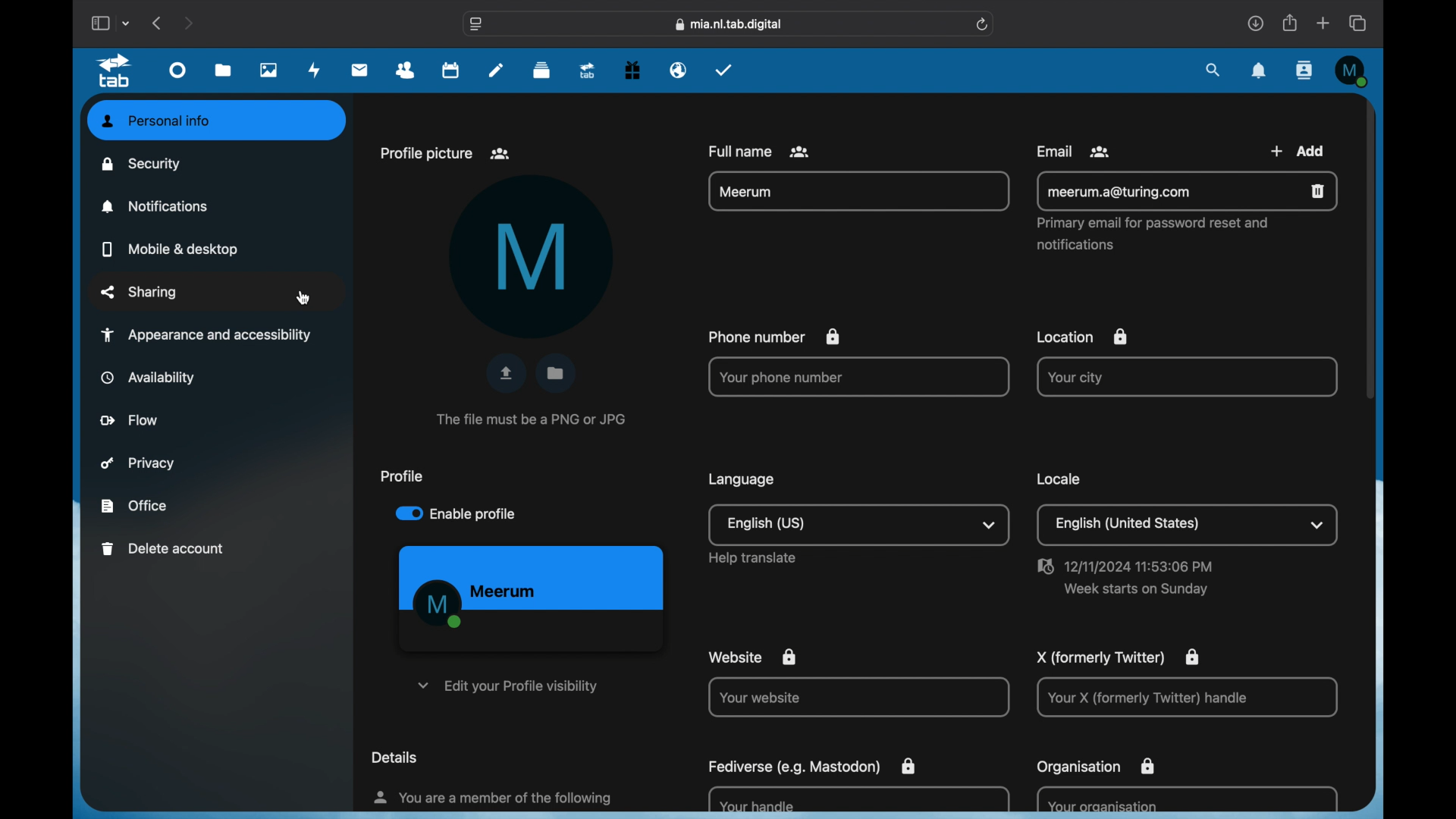  Describe the element at coordinates (452, 71) in the screenshot. I see `calendar` at that location.